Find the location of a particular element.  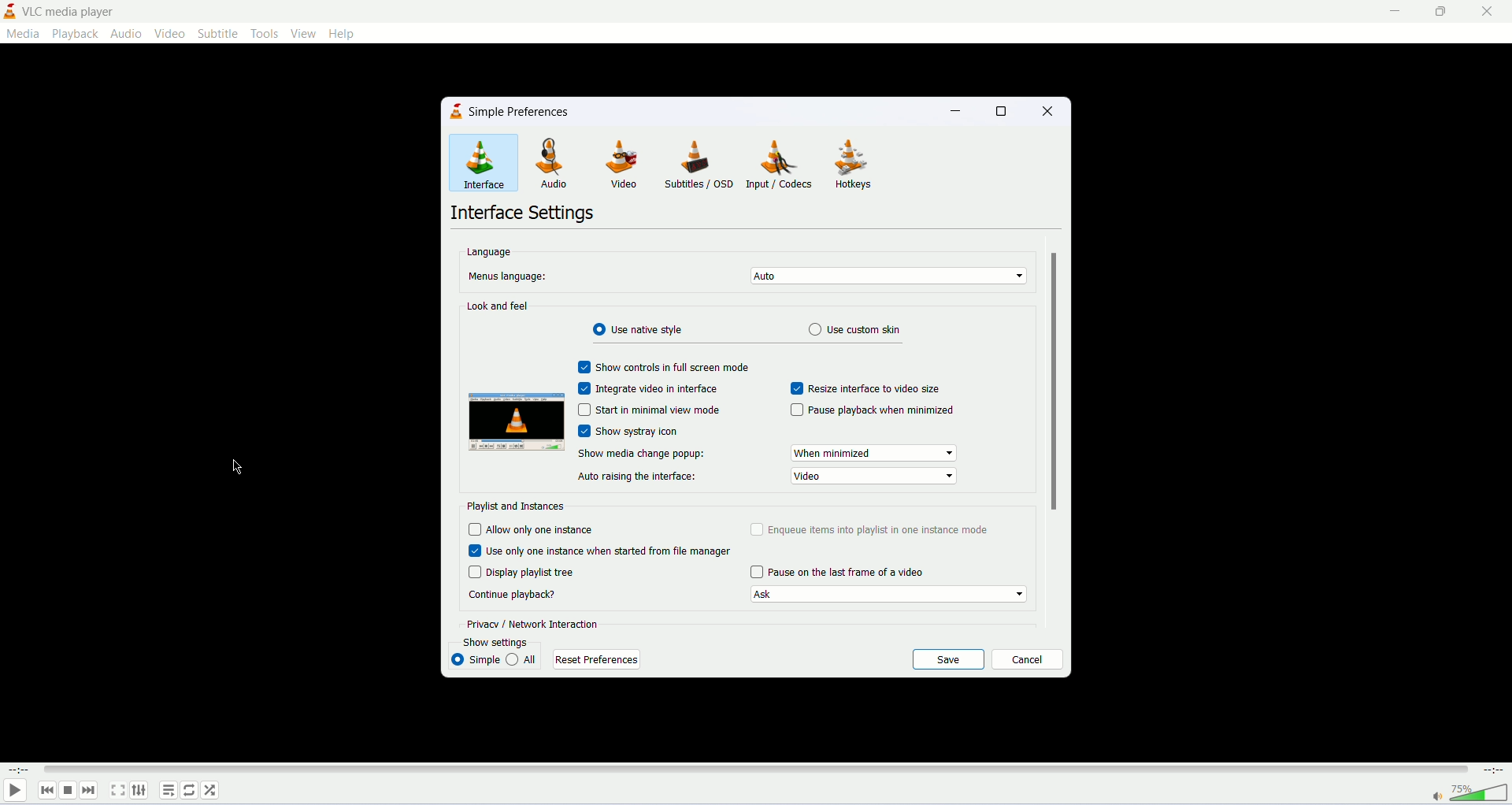

show systray icon is located at coordinates (630, 432).